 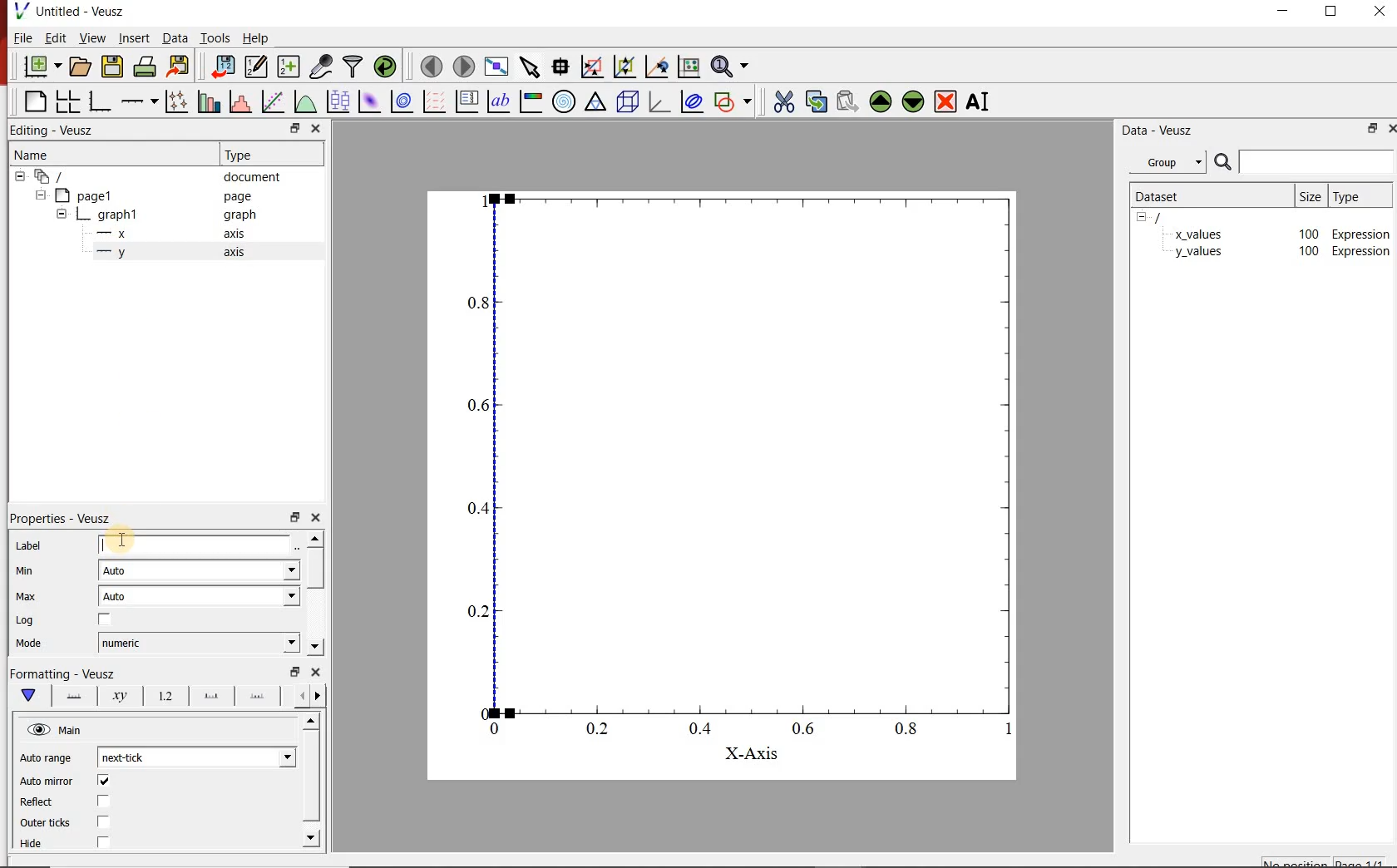 I want to click on plot vector field, so click(x=434, y=101).